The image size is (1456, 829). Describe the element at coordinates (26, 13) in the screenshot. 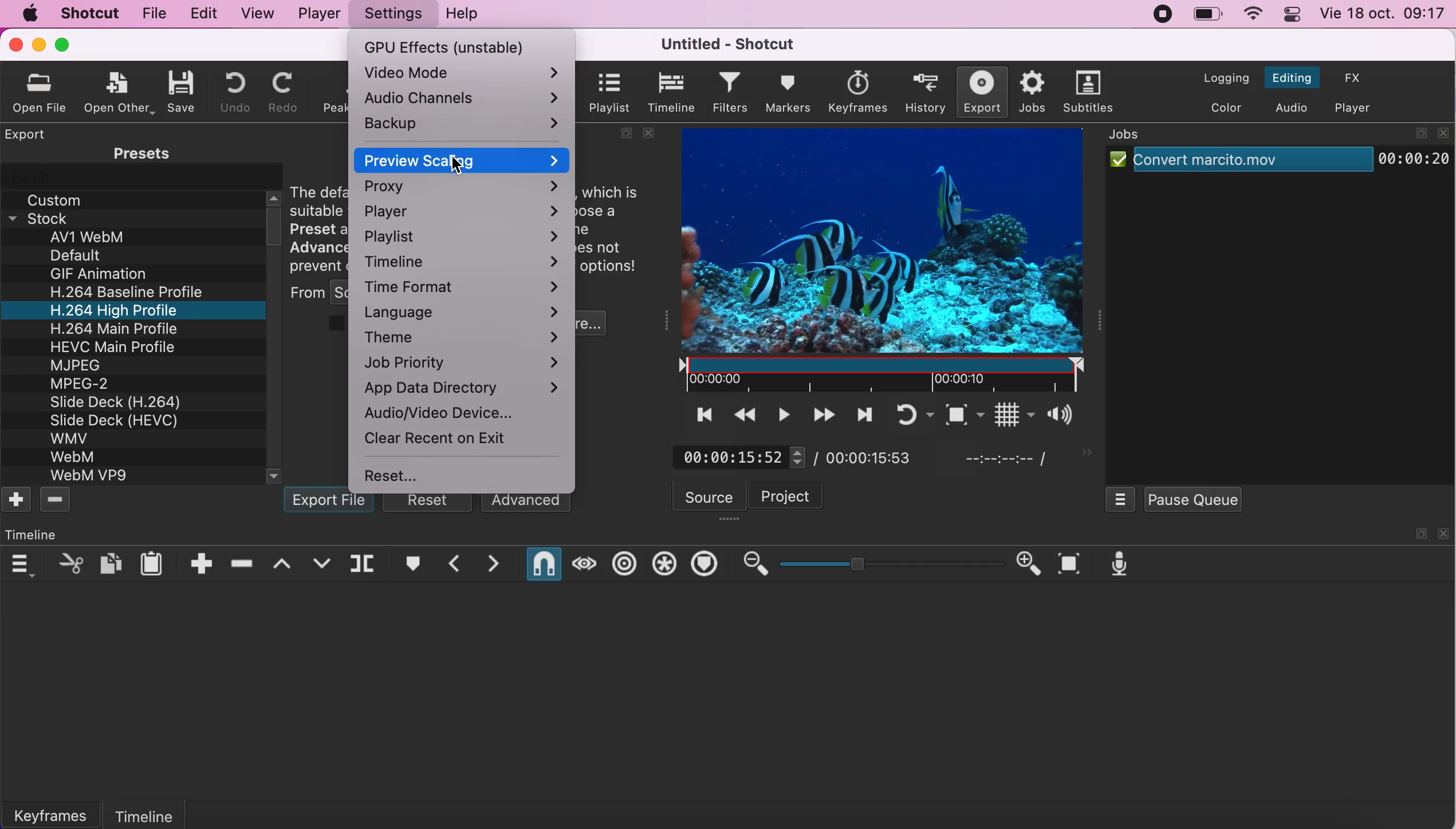

I see `mac logo` at that location.